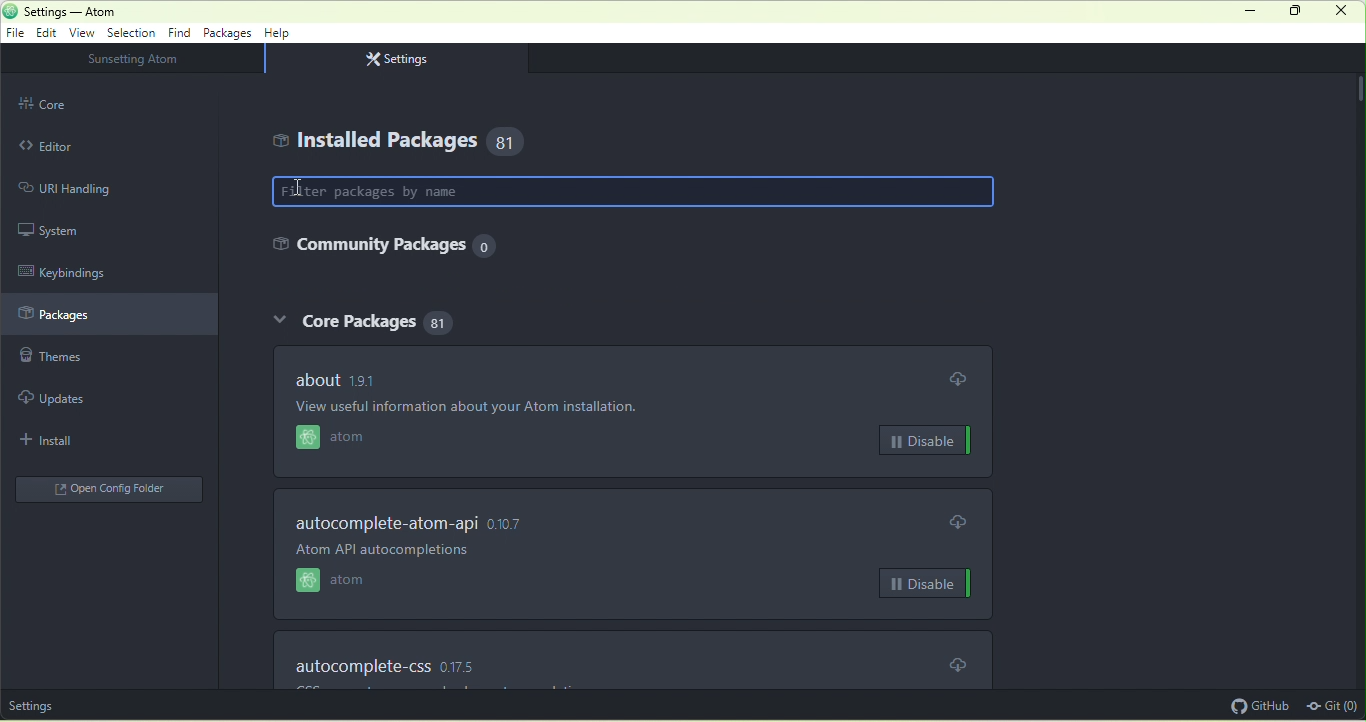  Describe the element at coordinates (433, 522) in the screenshot. I see `autocomplete-atom-api 0.10.7` at that location.